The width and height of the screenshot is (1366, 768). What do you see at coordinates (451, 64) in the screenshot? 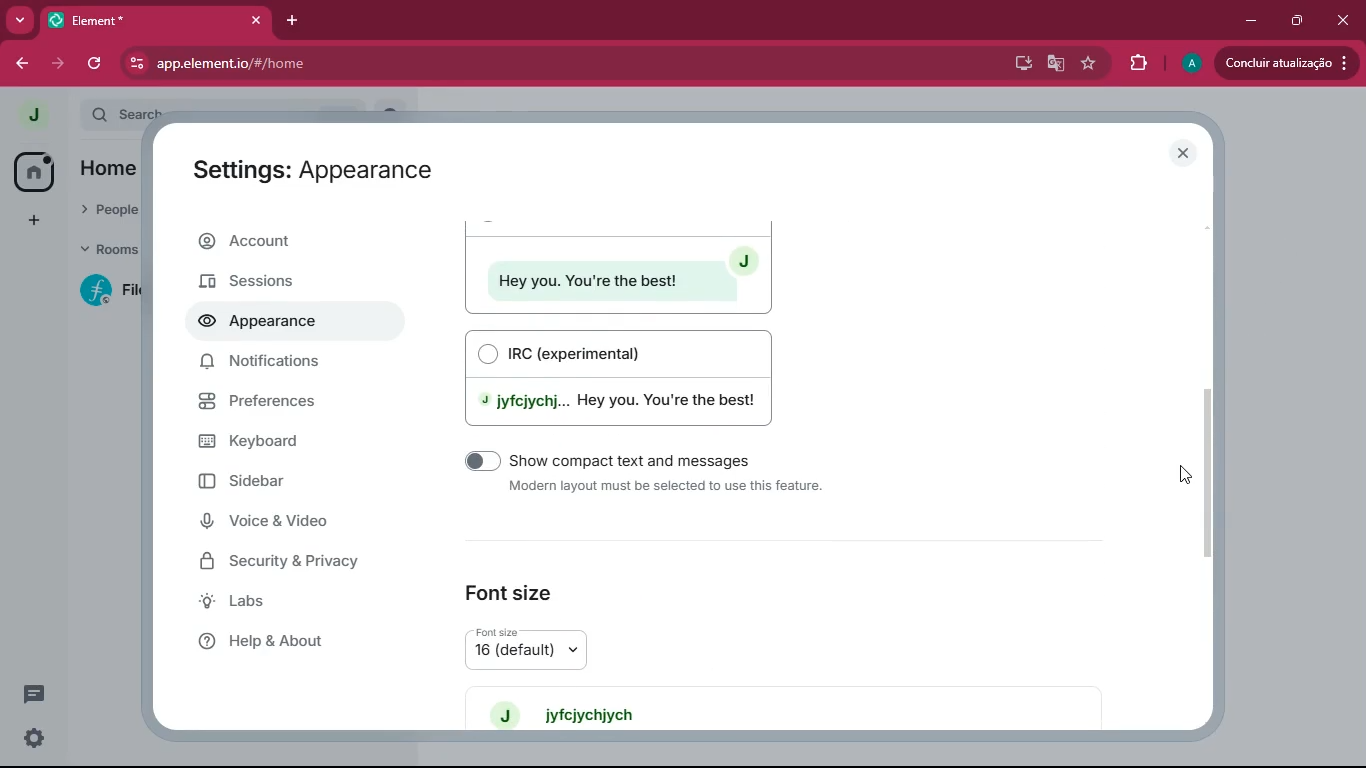
I see `app.elementio/#/home` at bounding box center [451, 64].